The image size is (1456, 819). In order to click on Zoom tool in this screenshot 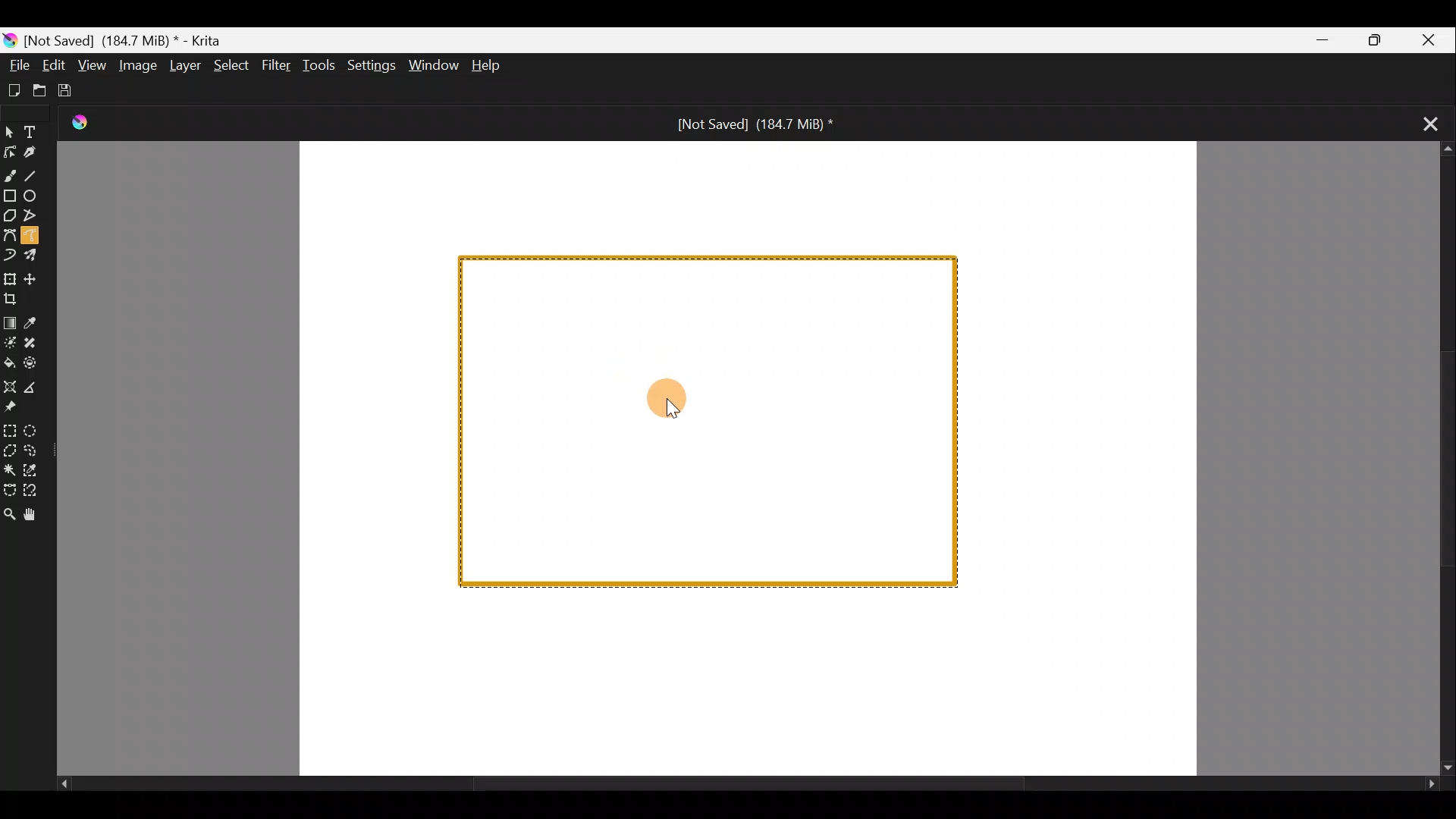, I will do `click(9, 514)`.